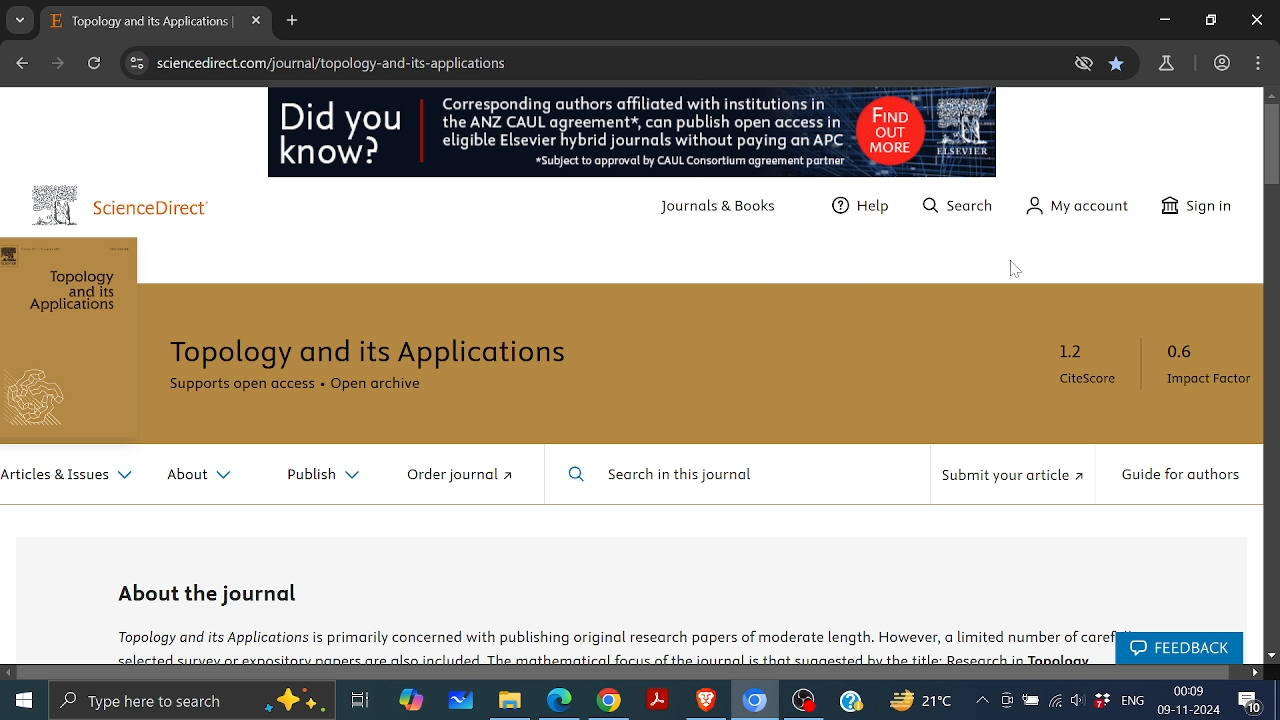 This screenshot has height=720, width=1280. I want to click on Battery, so click(1030, 701).